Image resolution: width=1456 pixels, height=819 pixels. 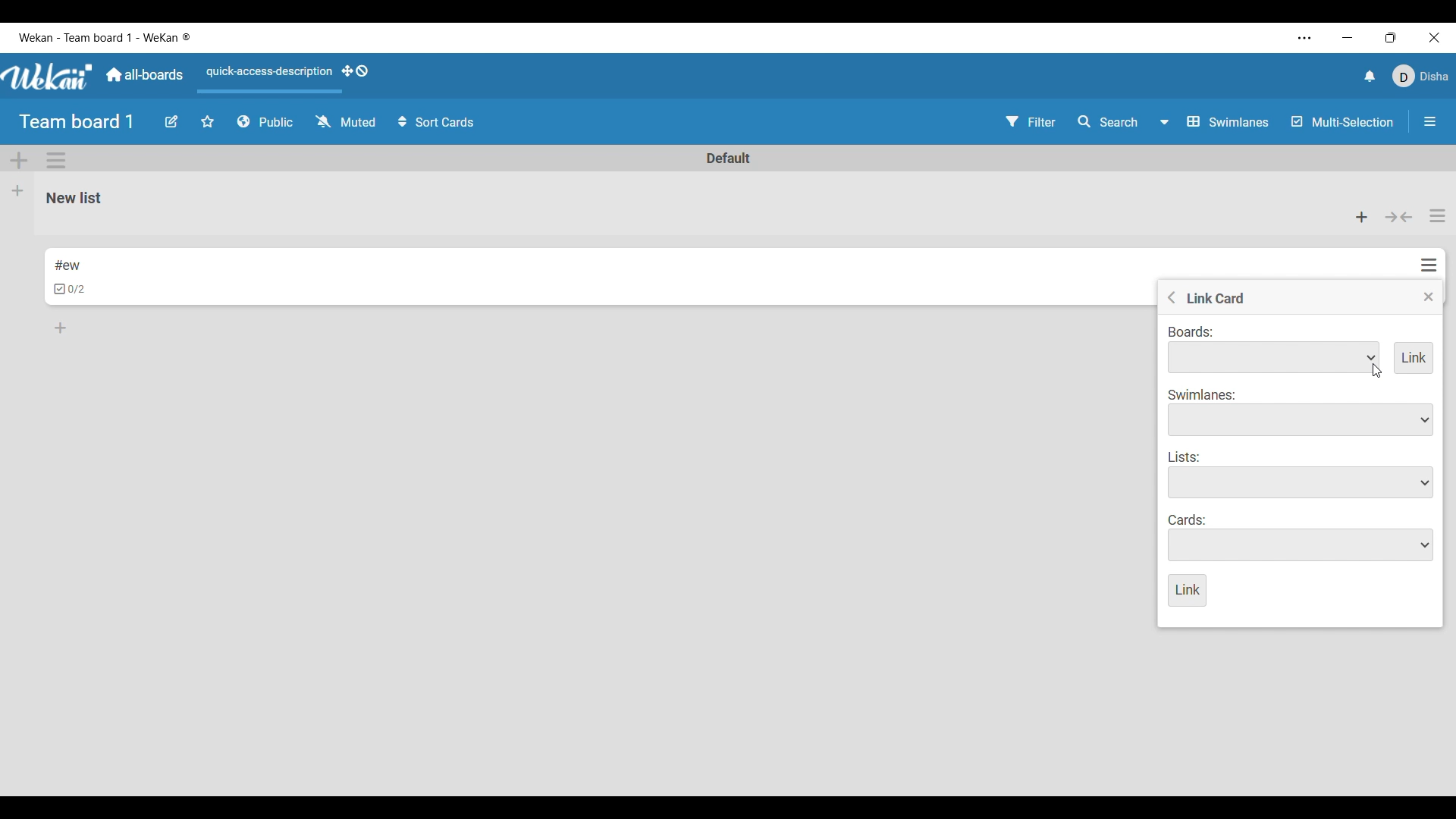 I want to click on Add list, so click(x=18, y=191).